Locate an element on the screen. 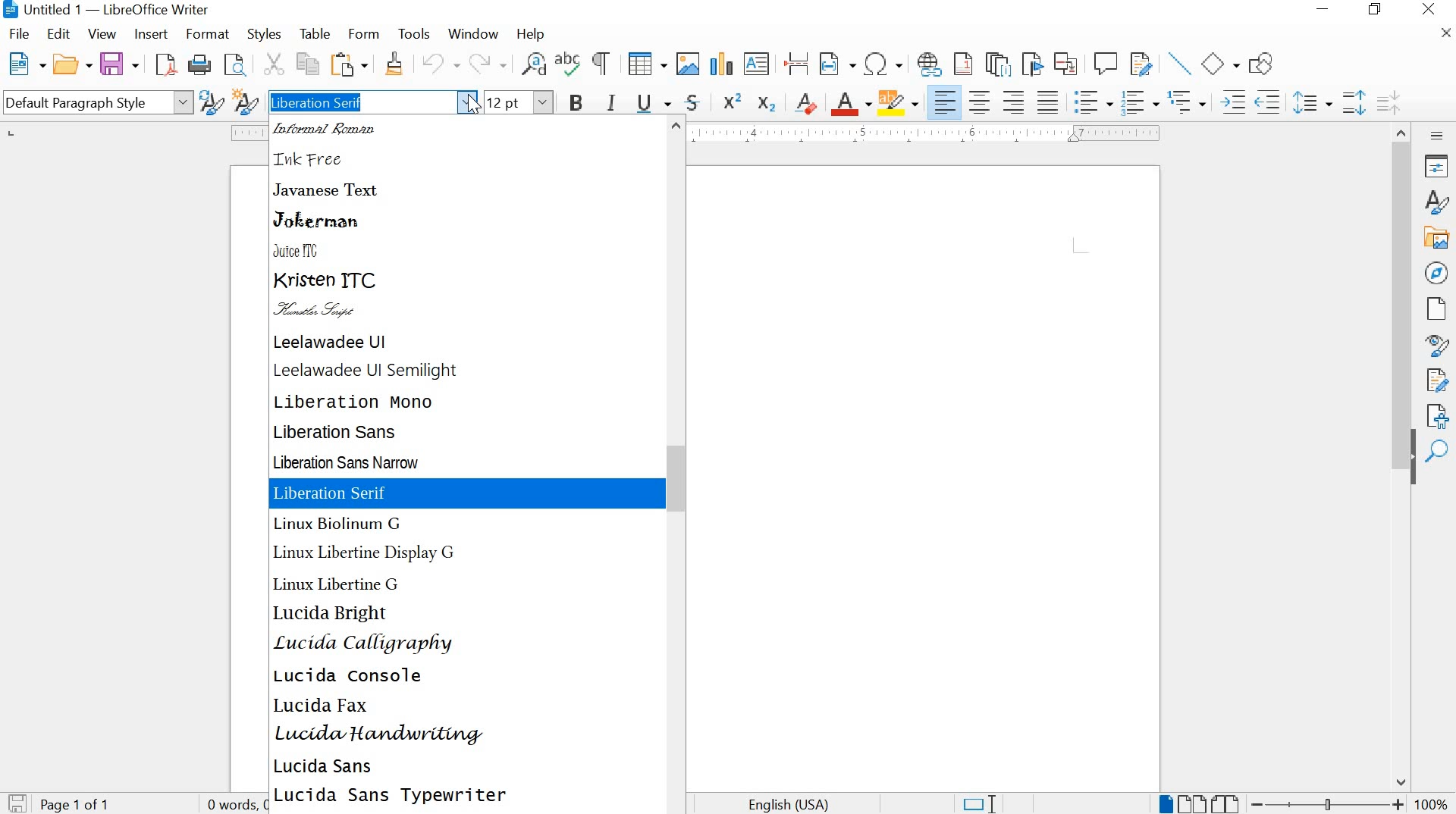 The image size is (1456, 814). ALIGN CENTER is located at coordinates (982, 99).